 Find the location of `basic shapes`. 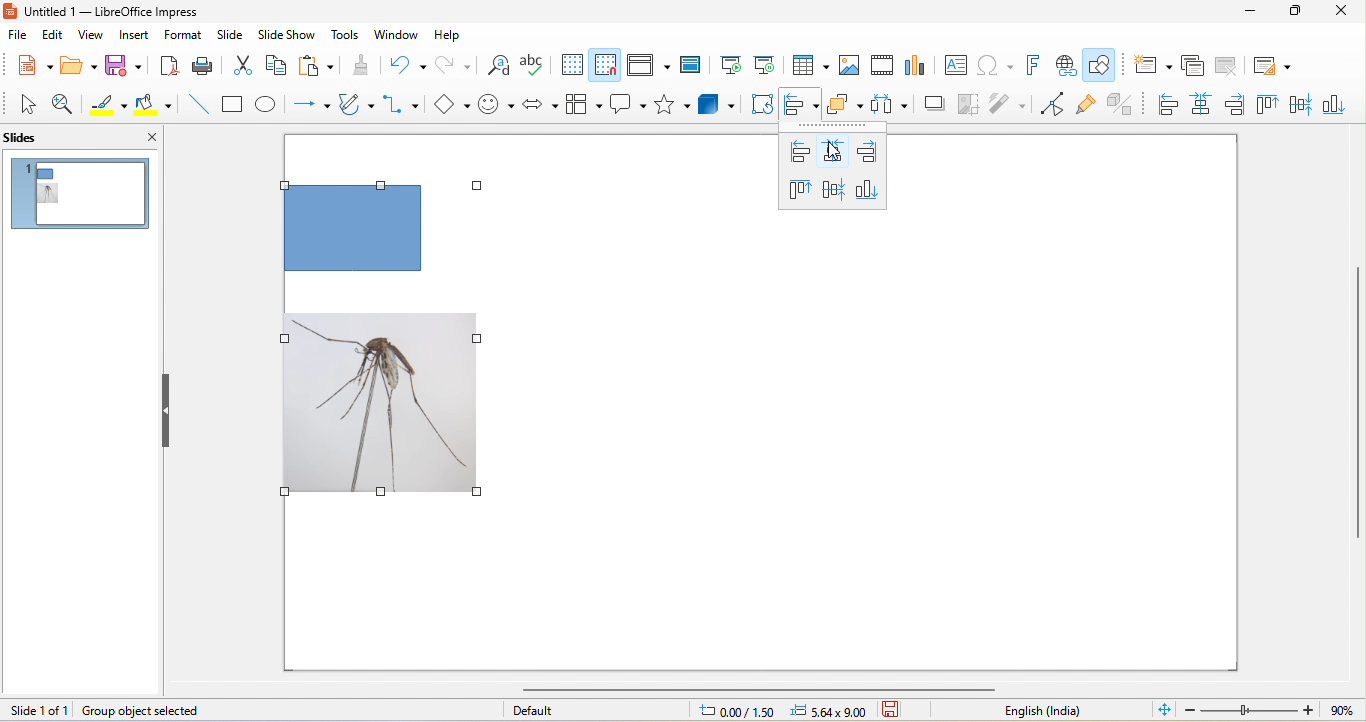

basic shapes is located at coordinates (448, 106).